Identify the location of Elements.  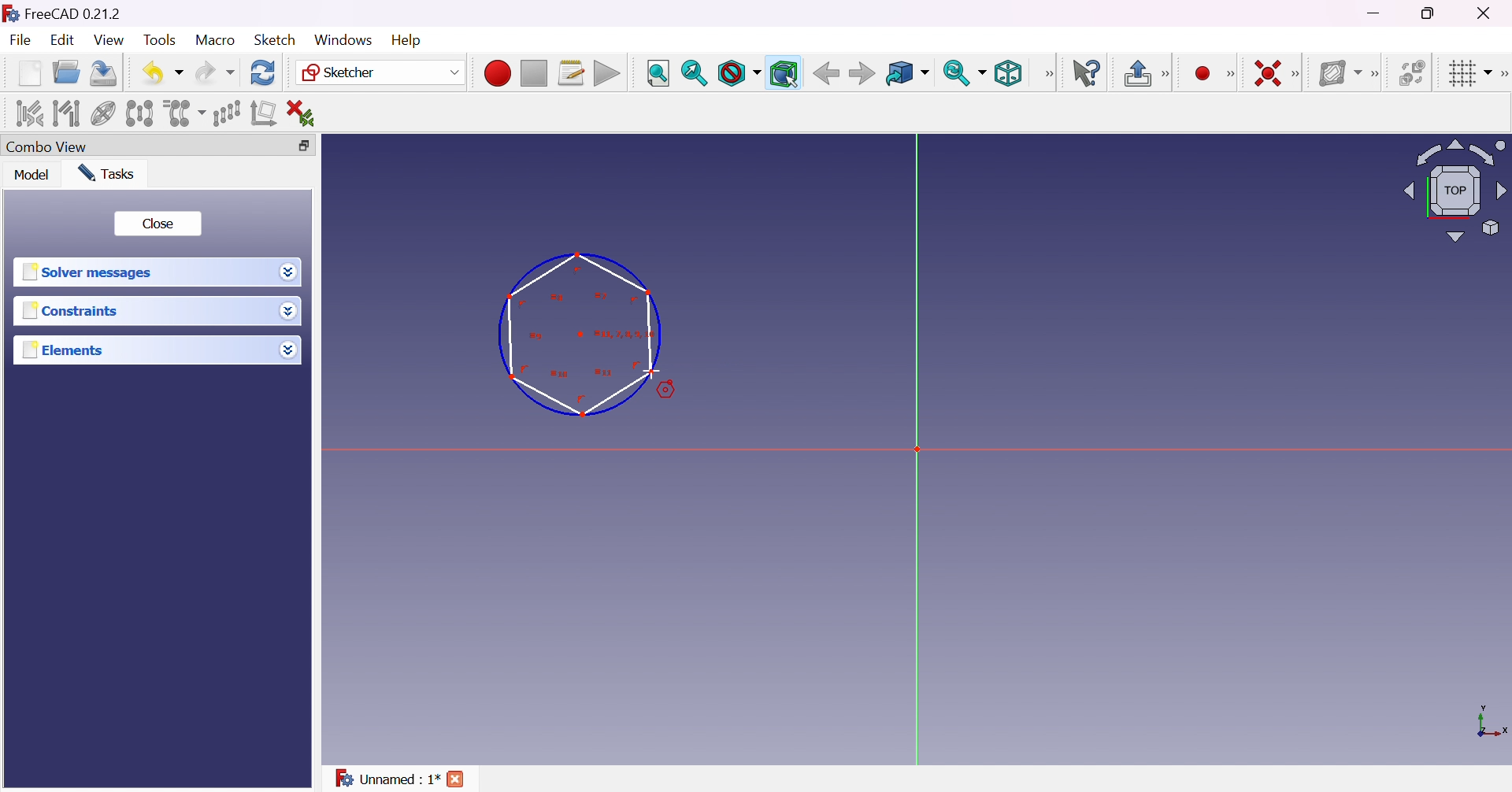
(66, 350).